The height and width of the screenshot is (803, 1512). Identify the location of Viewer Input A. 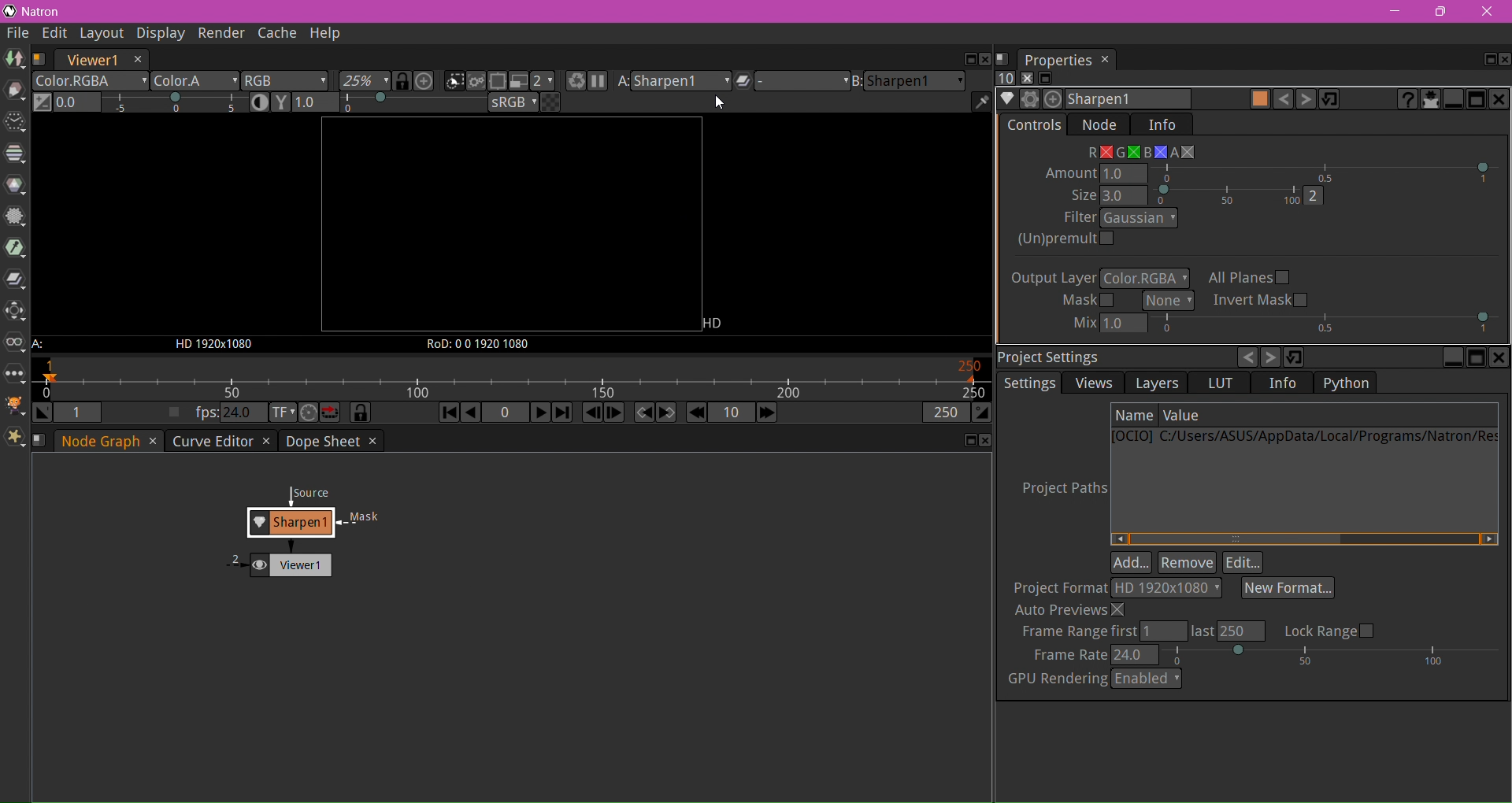
(46, 346).